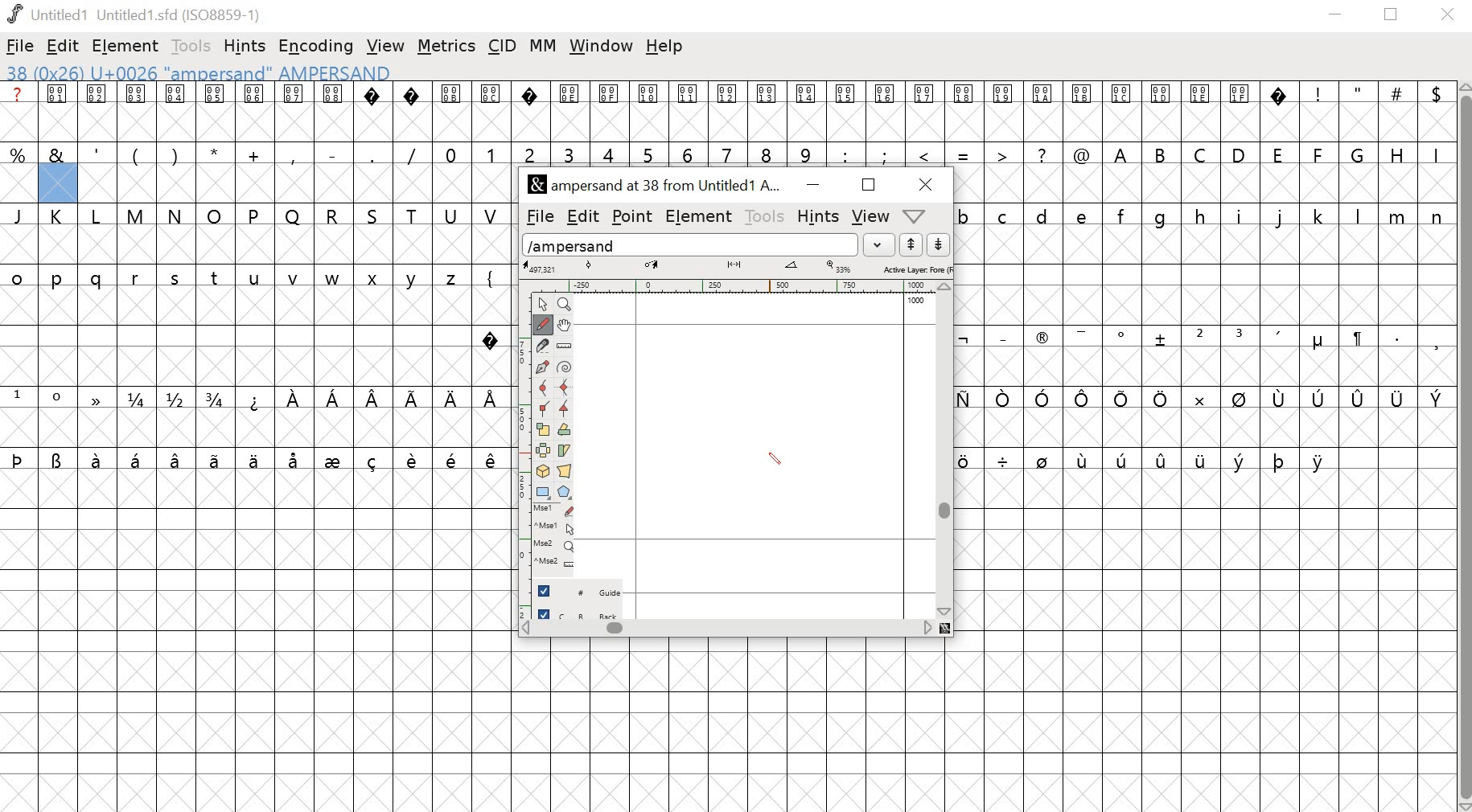 The image size is (1472, 812). What do you see at coordinates (247, 45) in the screenshot?
I see `hints` at bounding box center [247, 45].